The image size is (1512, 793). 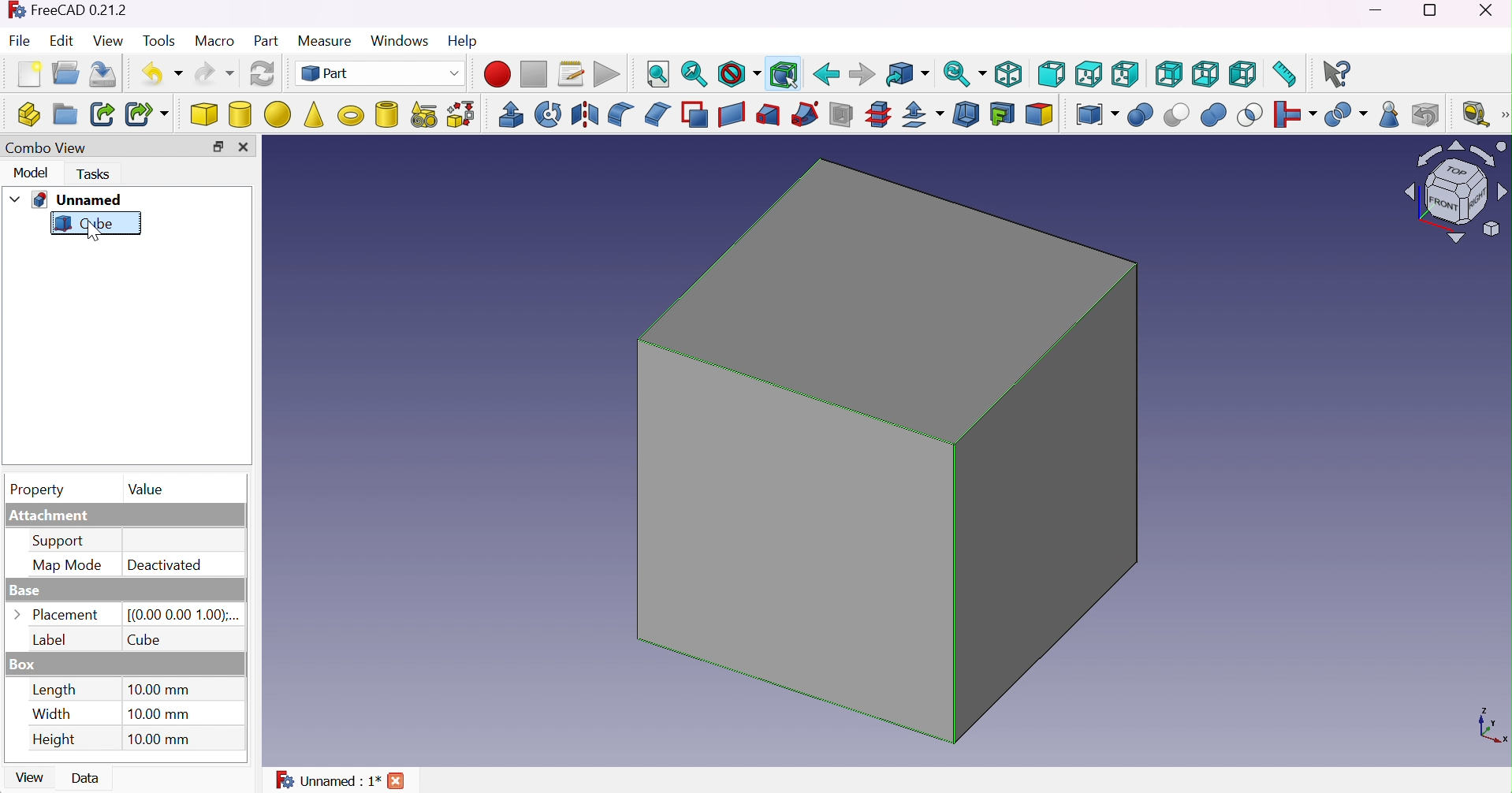 What do you see at coordinates (65, 544) in the screenshot?
I see `Support` at bounding box center [65, 544].